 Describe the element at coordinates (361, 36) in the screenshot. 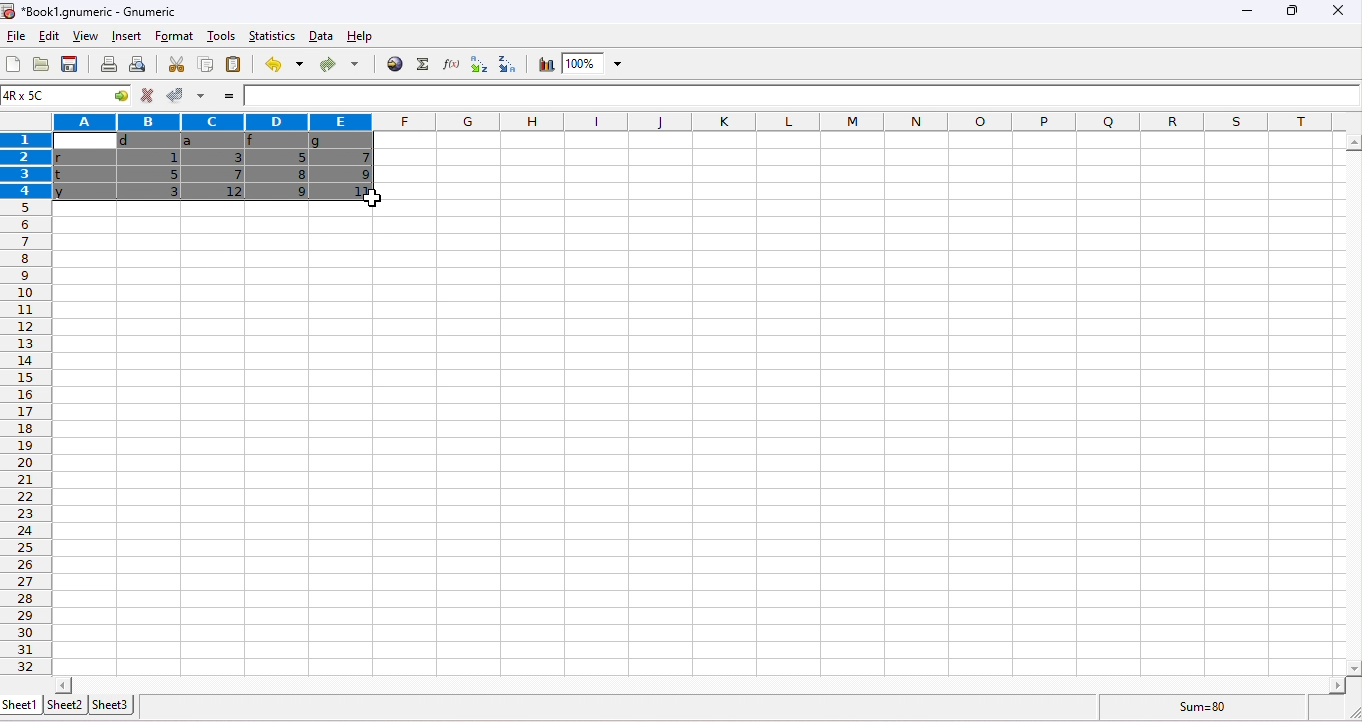

I see `help` at that location.